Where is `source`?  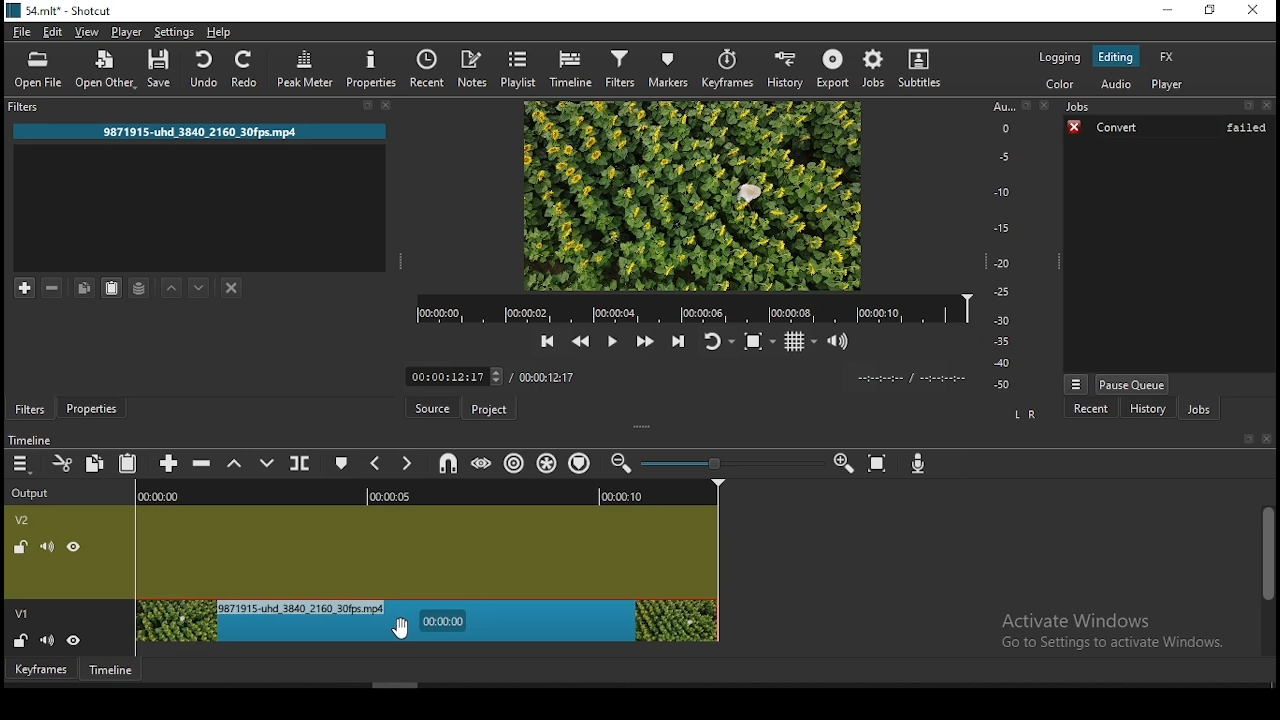
source is located at coordinates (433, 408).